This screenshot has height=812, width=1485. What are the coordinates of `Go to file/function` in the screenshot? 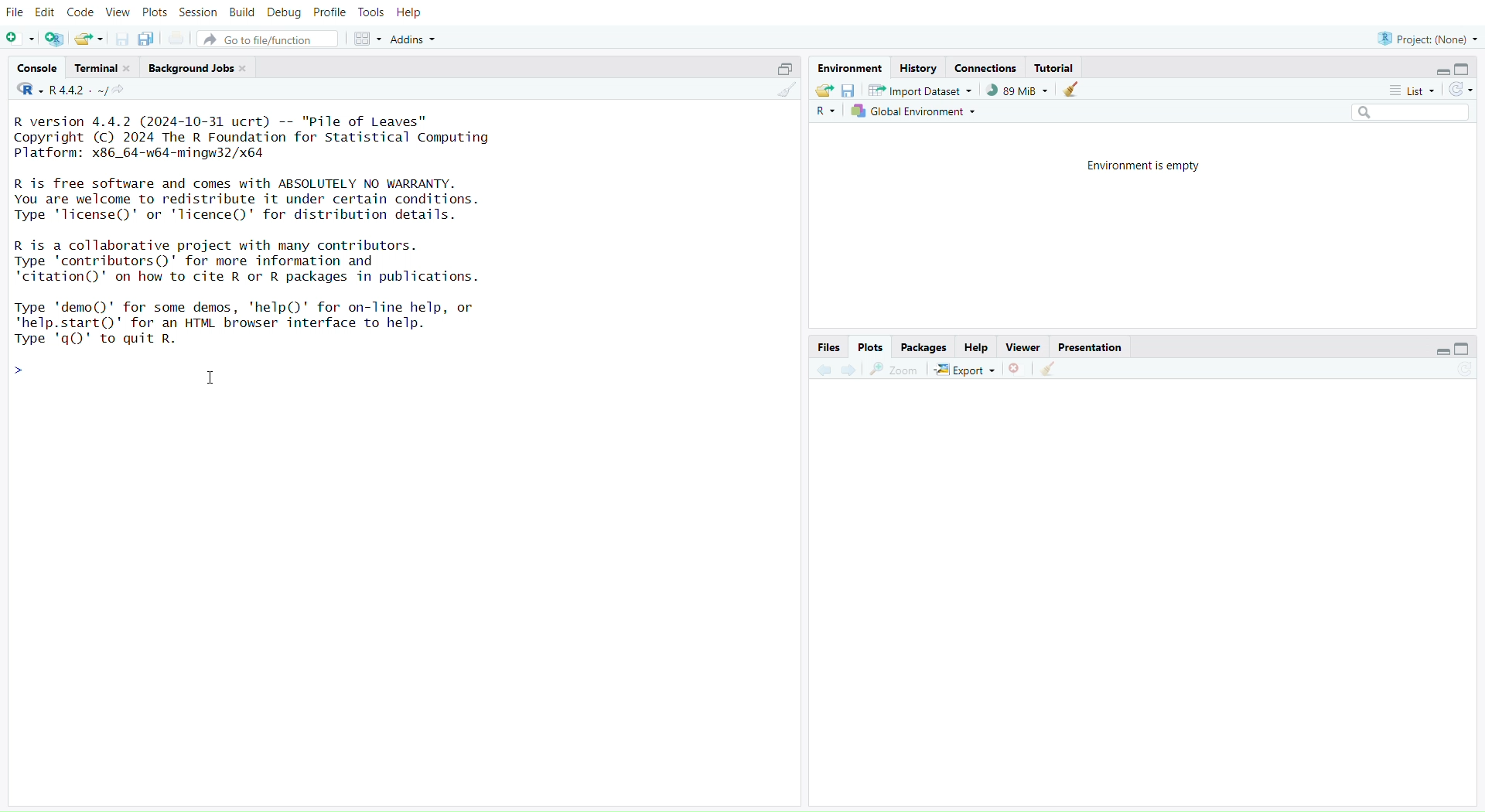 It's located at (268, 39).